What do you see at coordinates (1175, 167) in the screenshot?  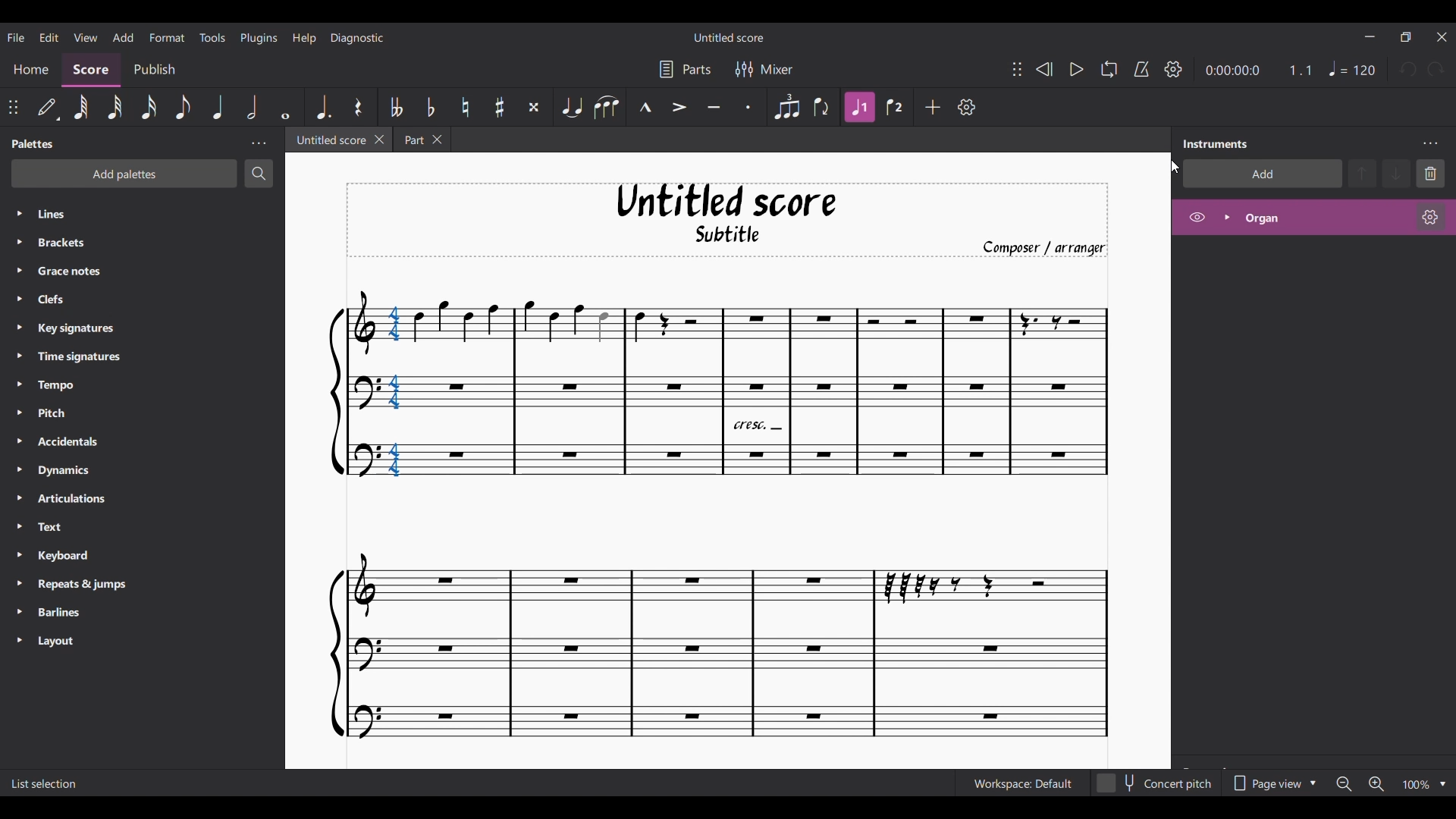 I see `Cursor position unchanged after disabling playback for selected chord` at bounding box center [1175, 167].